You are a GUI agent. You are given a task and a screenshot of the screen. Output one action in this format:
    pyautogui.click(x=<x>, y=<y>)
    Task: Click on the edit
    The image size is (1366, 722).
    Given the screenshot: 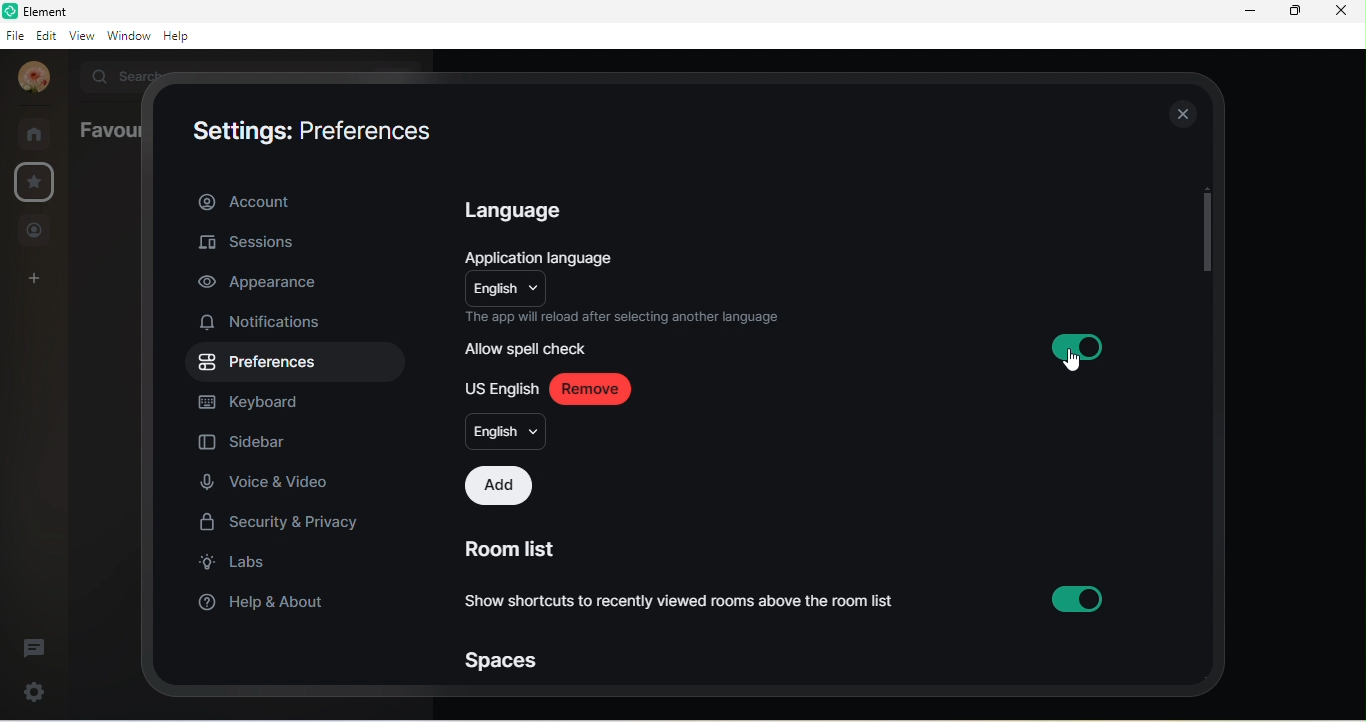 What is the action you would take?
    pyautogui.click(x=47, y=36)
    